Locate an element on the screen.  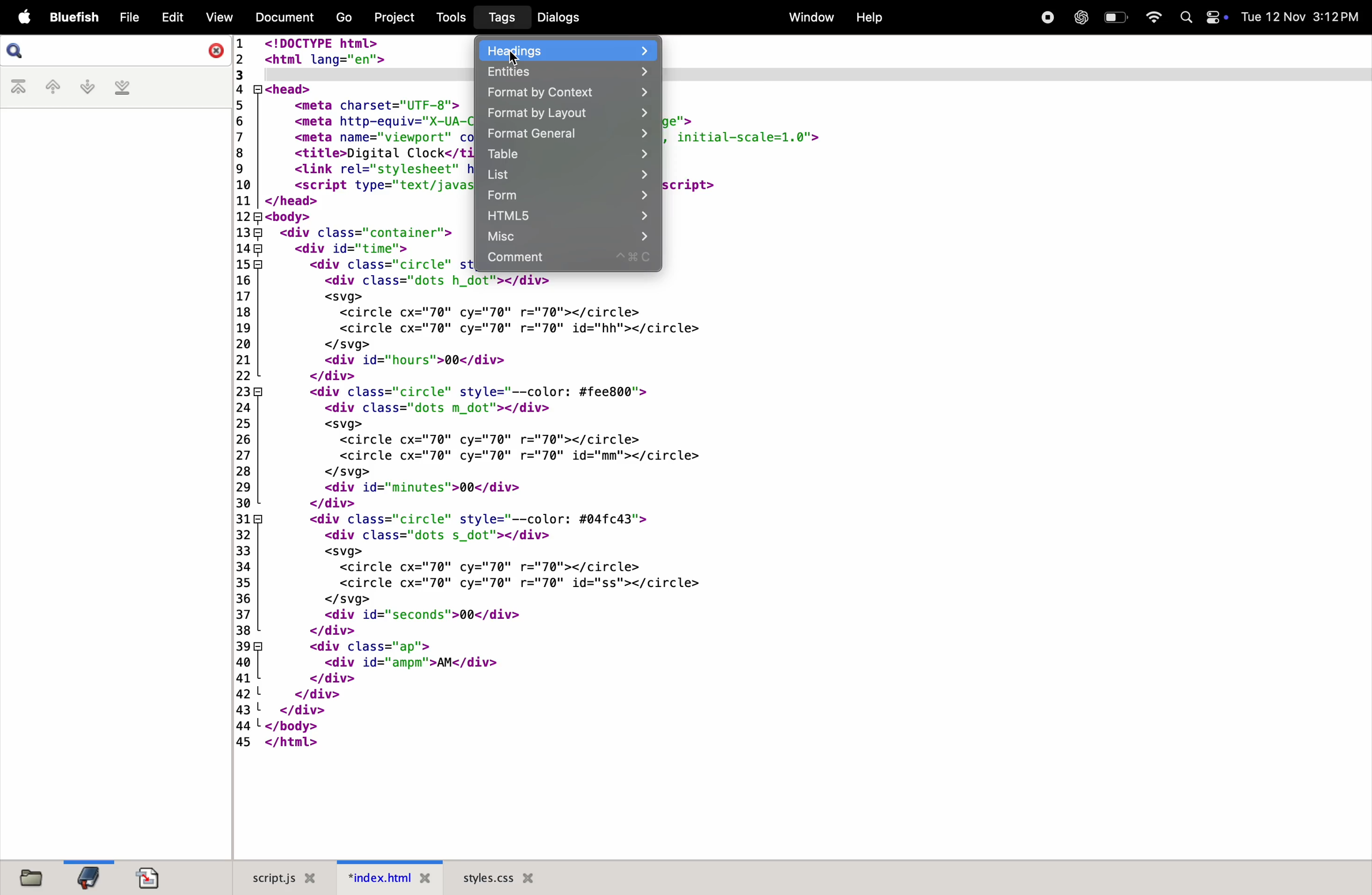
chatgpt is located at coordinates (1080, 17).